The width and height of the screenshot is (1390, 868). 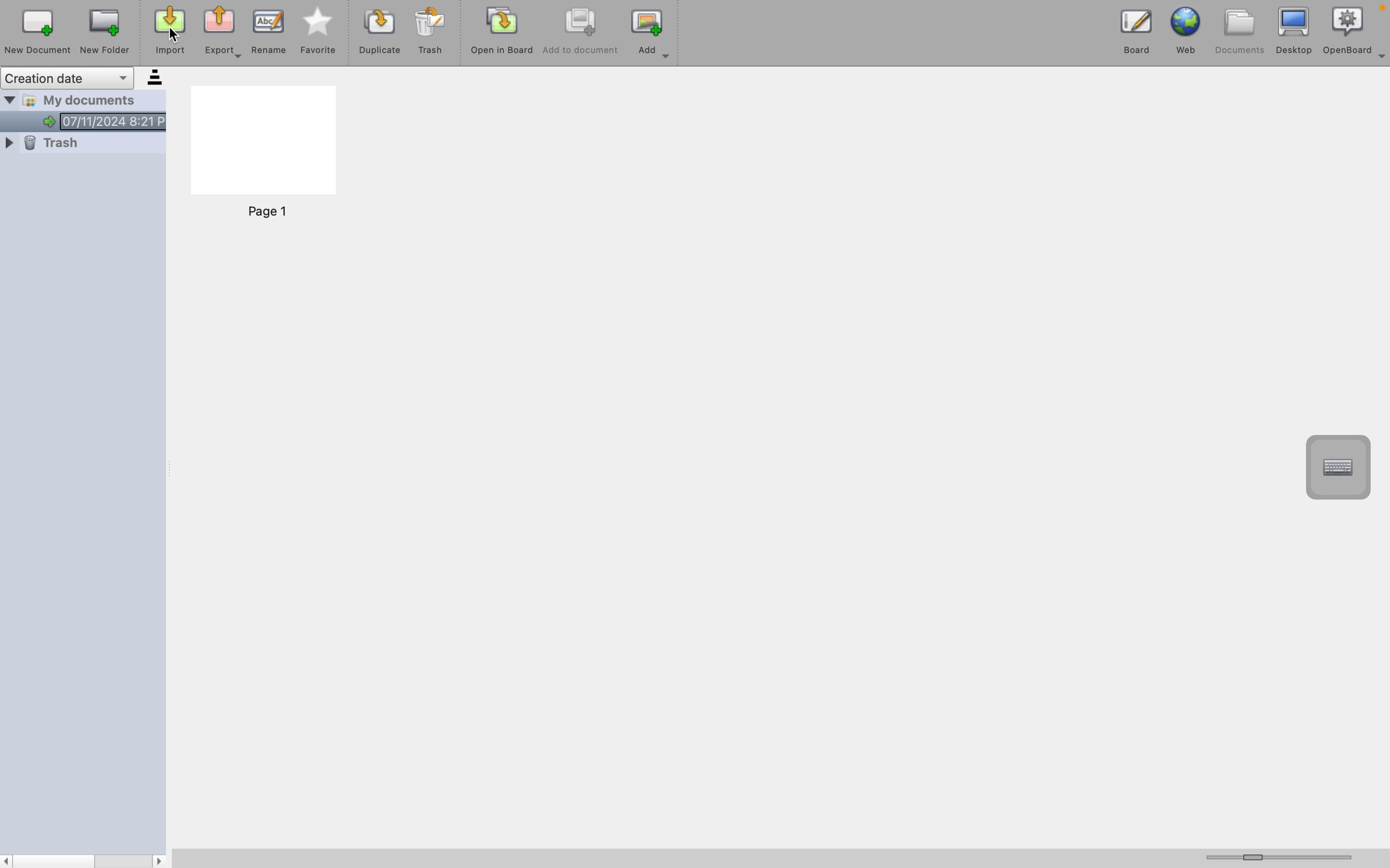 I want to click on favourite, so click(x=319, y=33).